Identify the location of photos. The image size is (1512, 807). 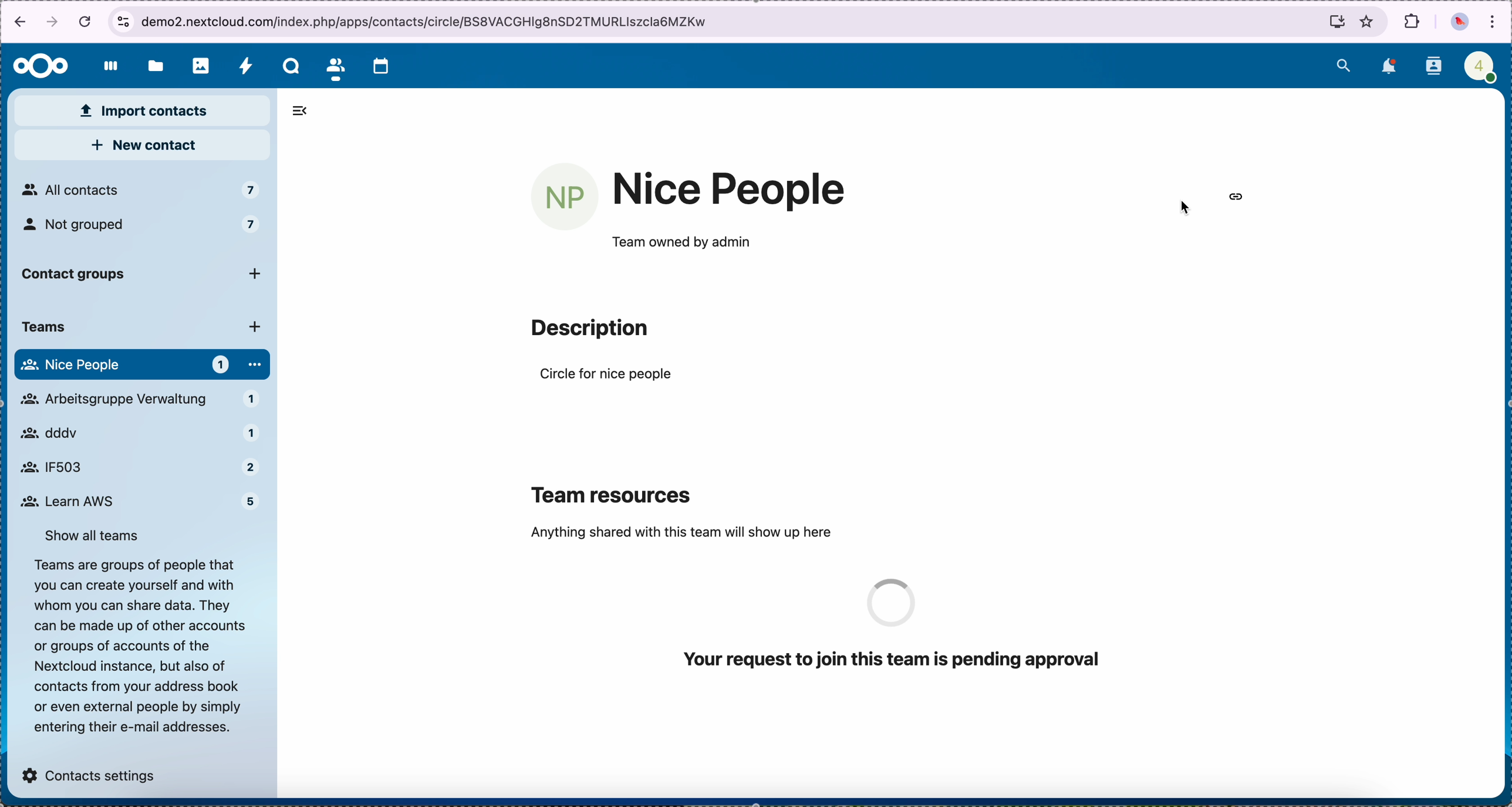
(197, 65).